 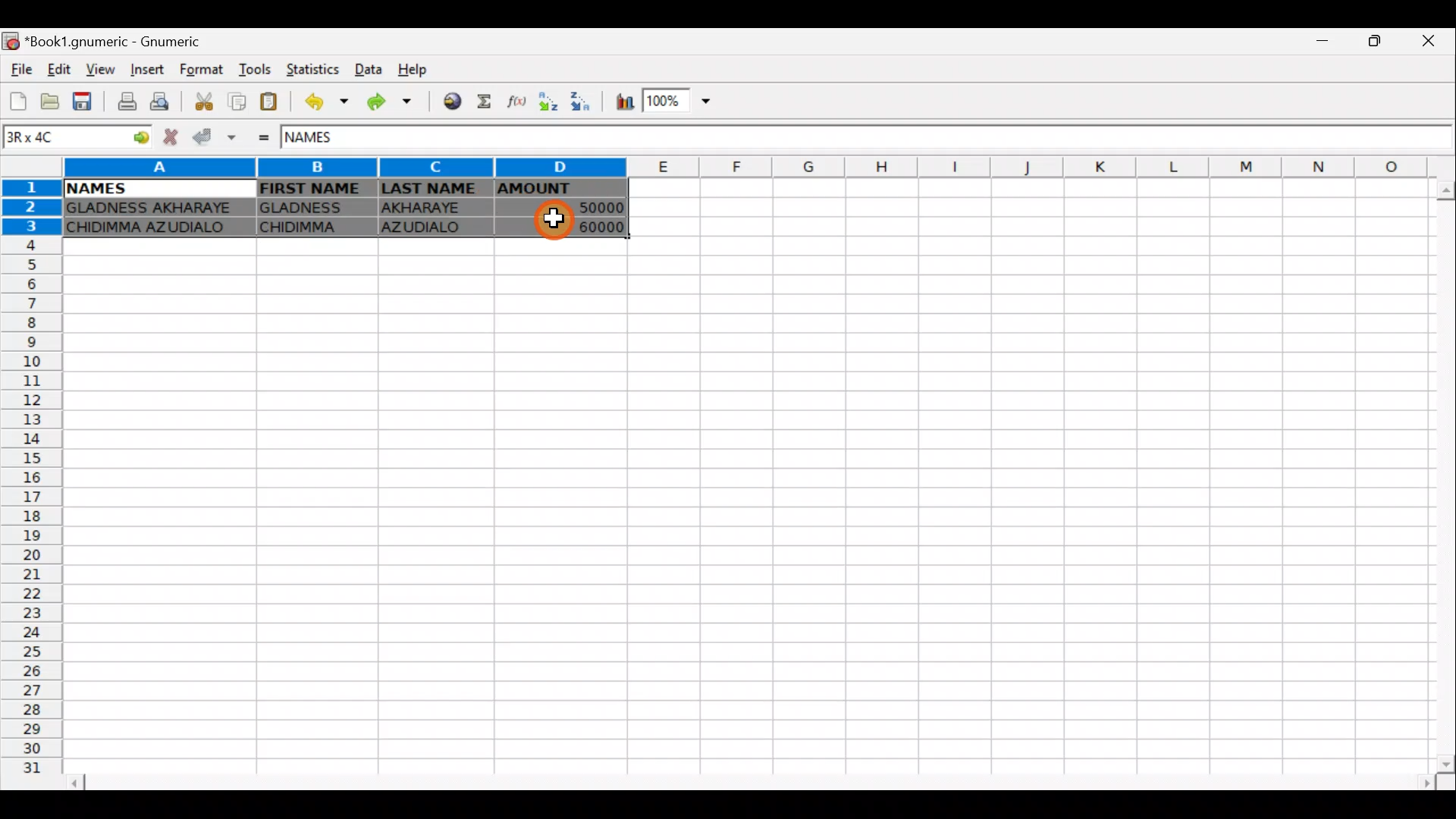 What do you see at coordinates (56, 139) in the screenshot?
I see `Cell name 3Rx4C` at bounding box center [56, 139].